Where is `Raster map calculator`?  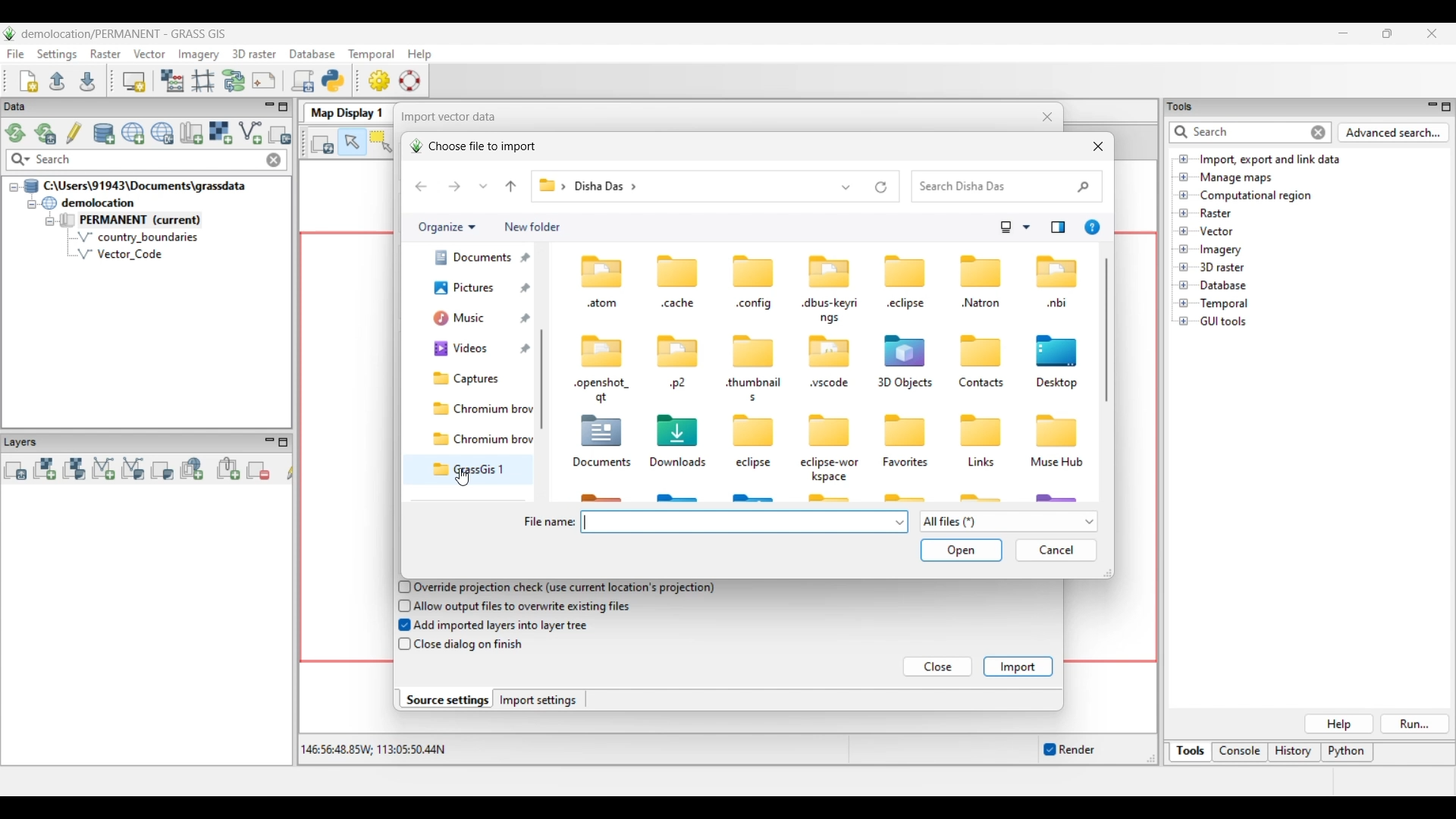
Raster map calculator is located at coordinates (172, 80).